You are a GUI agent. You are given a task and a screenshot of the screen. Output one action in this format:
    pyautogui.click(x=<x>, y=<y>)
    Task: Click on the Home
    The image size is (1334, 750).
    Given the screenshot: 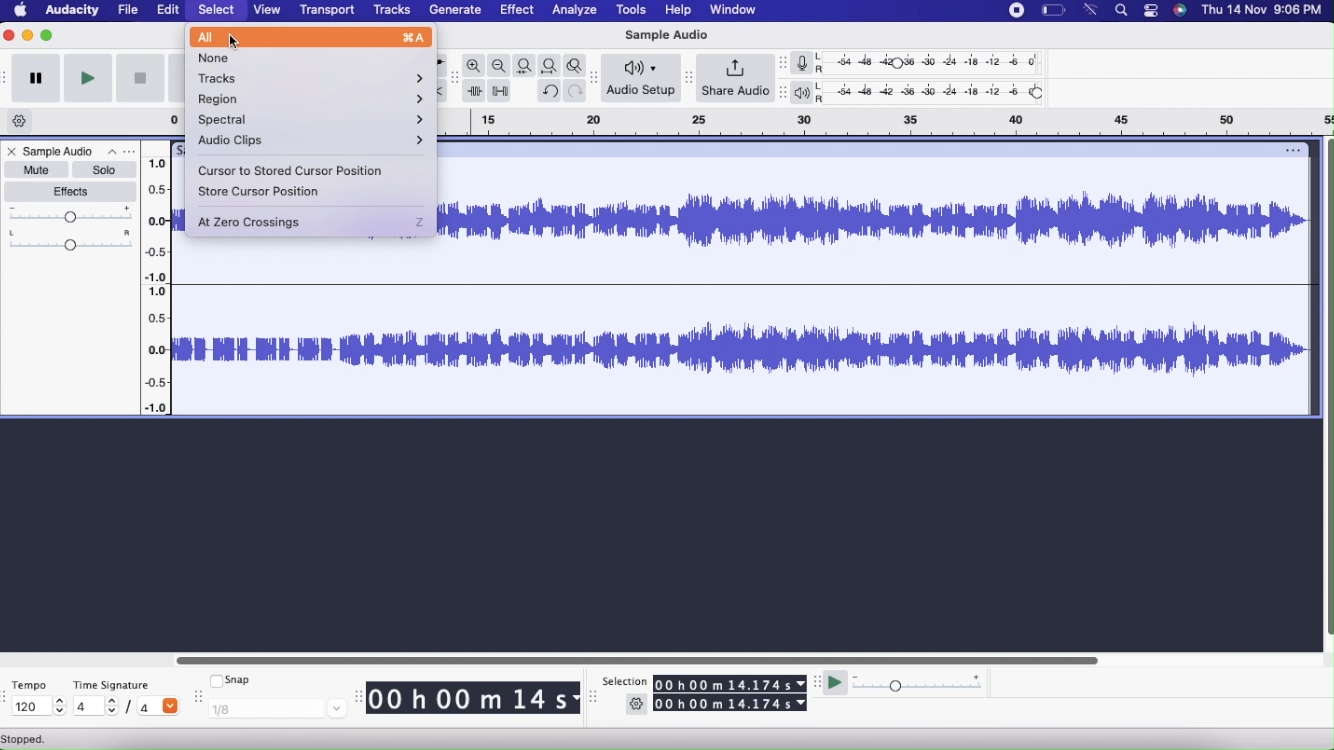 What is the action you would take?
    pyautogui.click(x=22, y=11)
    